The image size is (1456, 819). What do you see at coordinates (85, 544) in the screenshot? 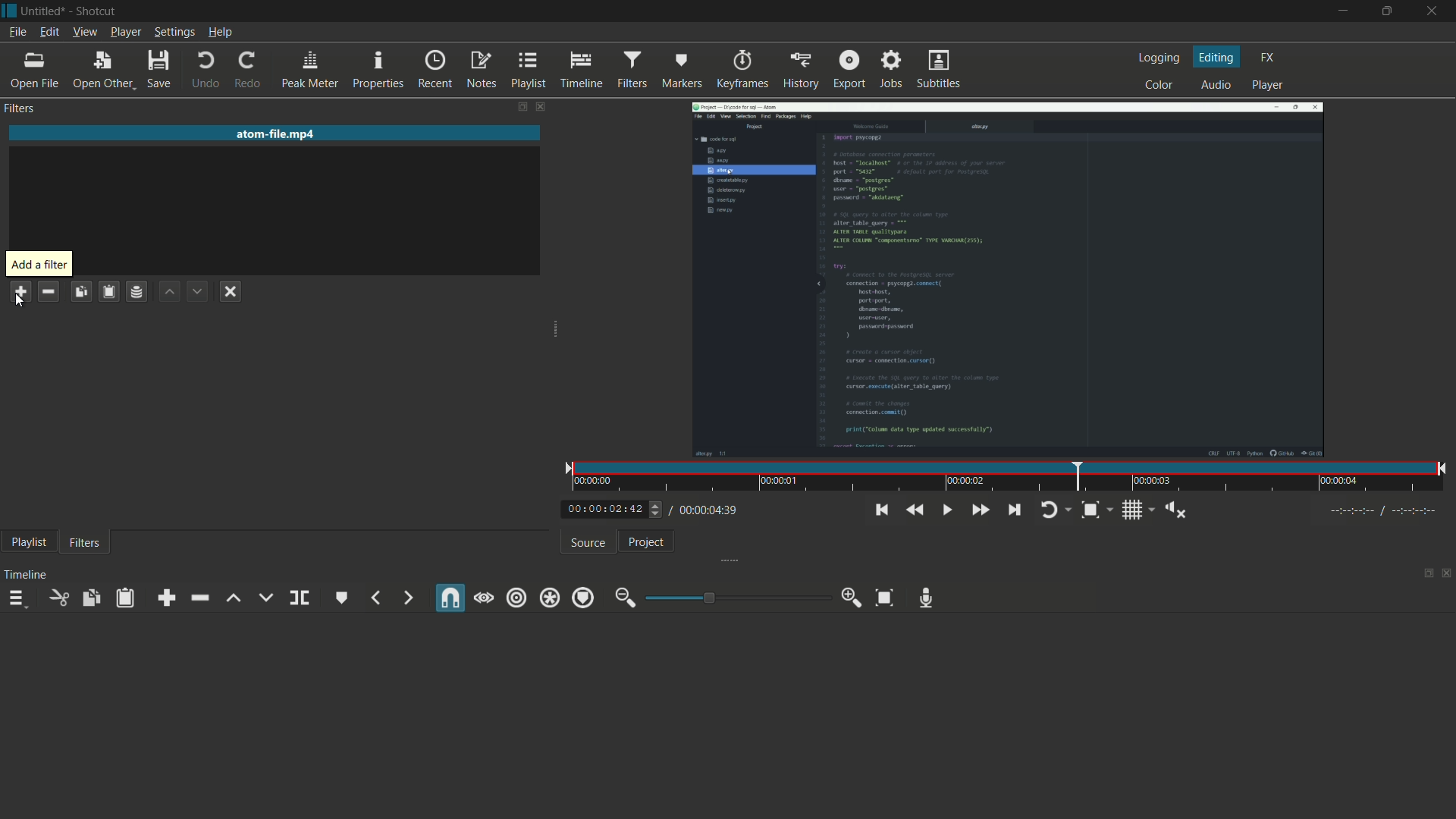
I see `filters` at bounding box center [85, 544].